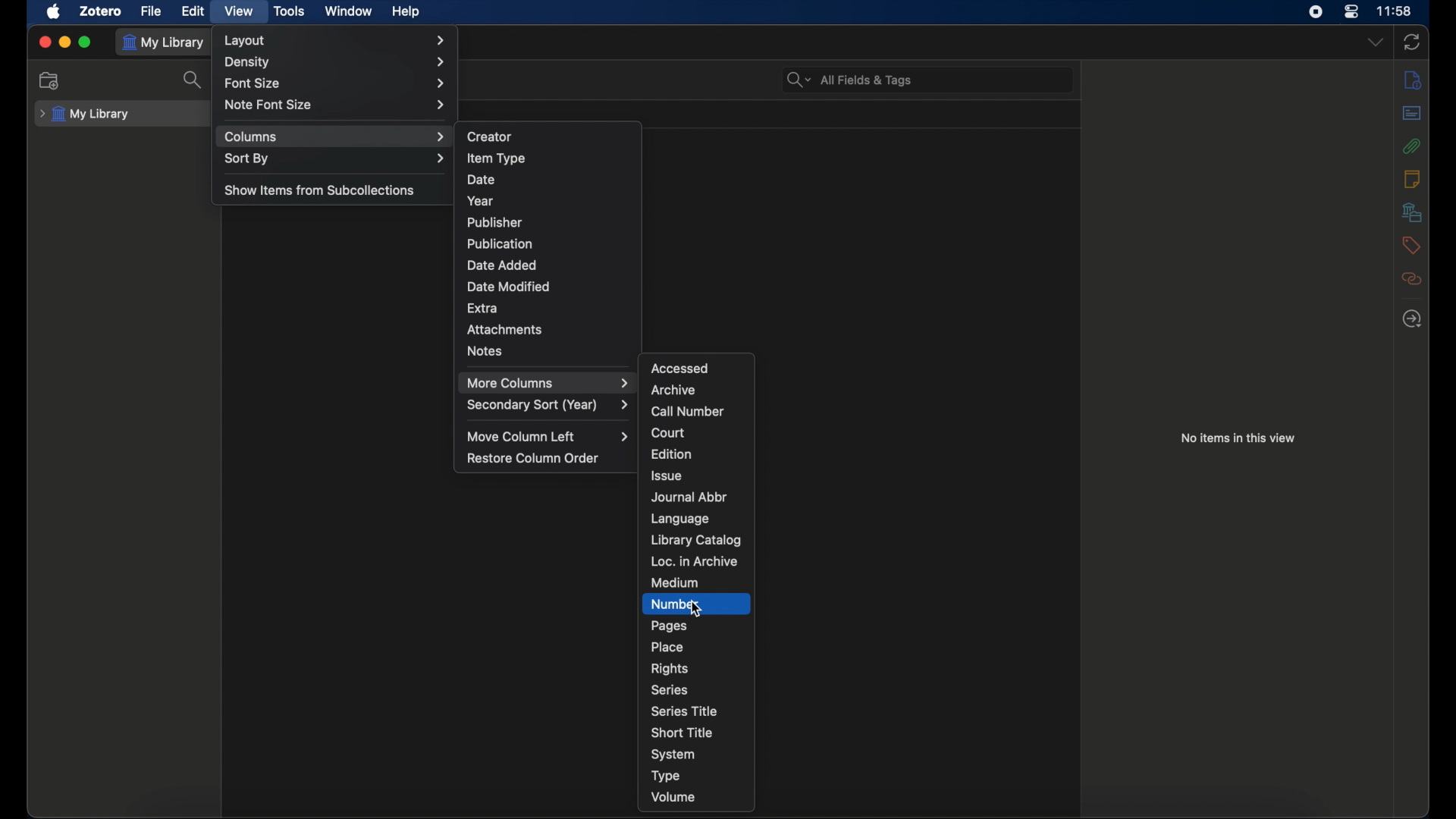 This screenshot has height=819, width=1456. What do you see at coordinates (85, 115) in the screenshot?
I see `my library` at bounding box center [85, 115].